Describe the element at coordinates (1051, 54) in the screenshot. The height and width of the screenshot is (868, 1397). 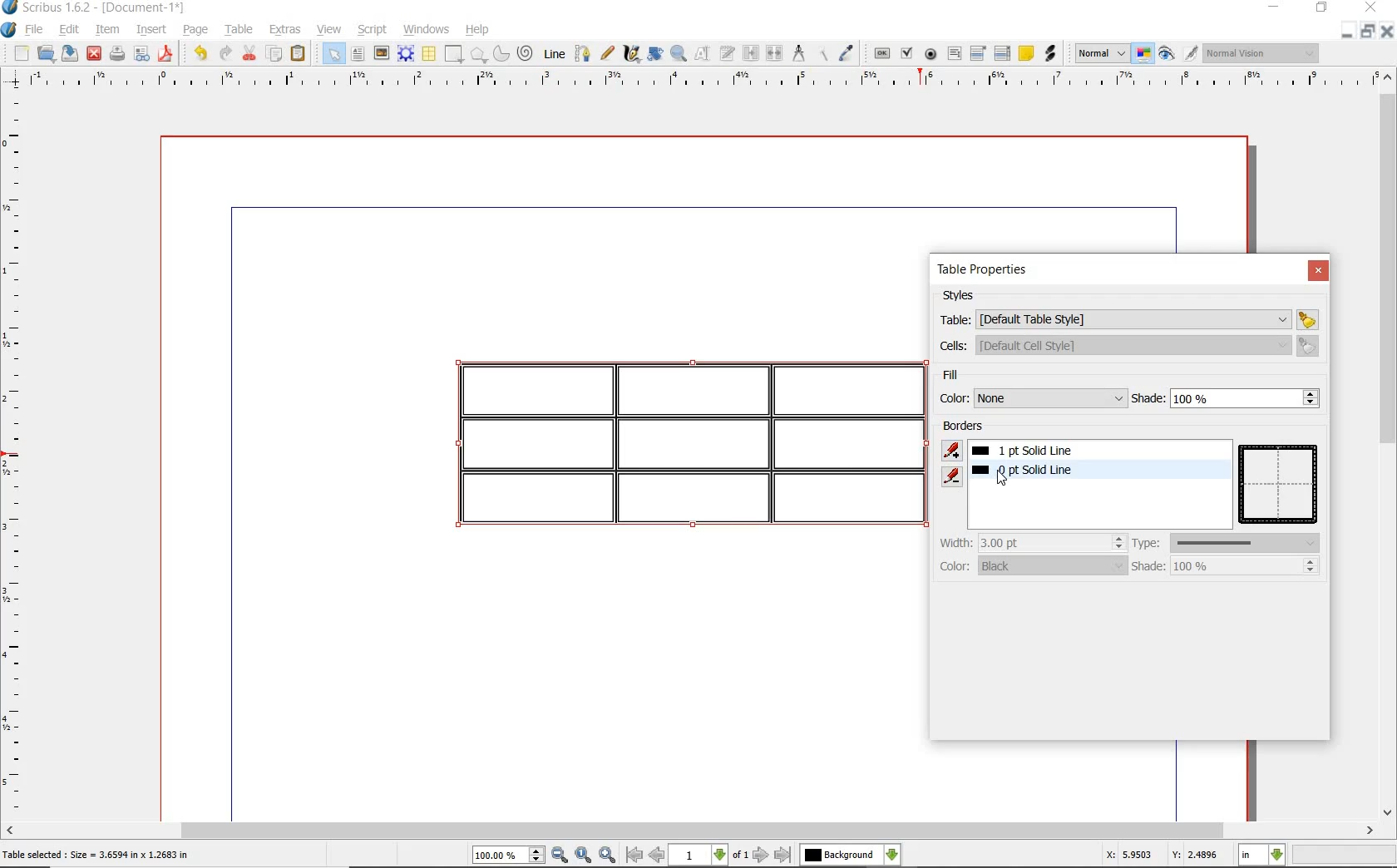
I see `link annotation` at that location.